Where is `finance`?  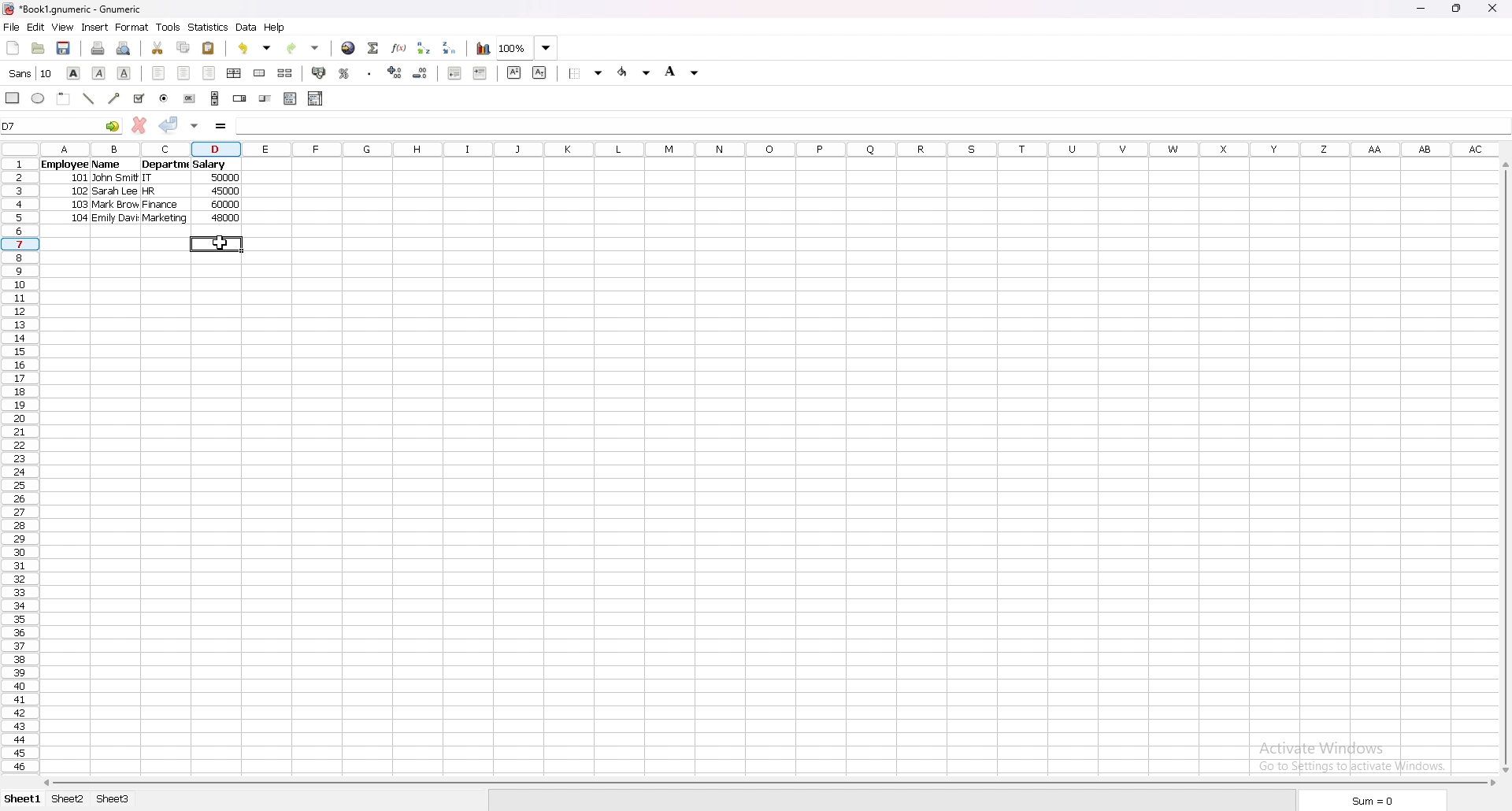
finance is located at coordinates (161, 206).